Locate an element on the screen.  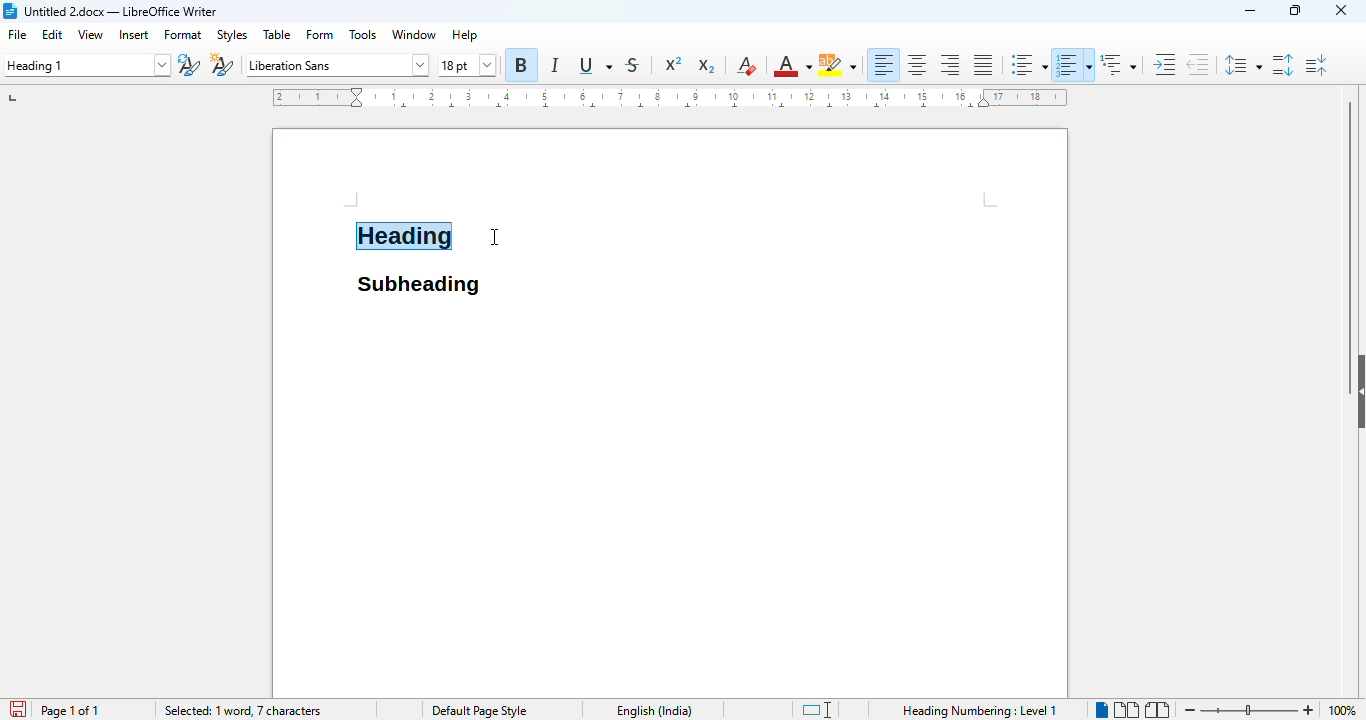
character highlighting color is located at coordinates (837, 65).